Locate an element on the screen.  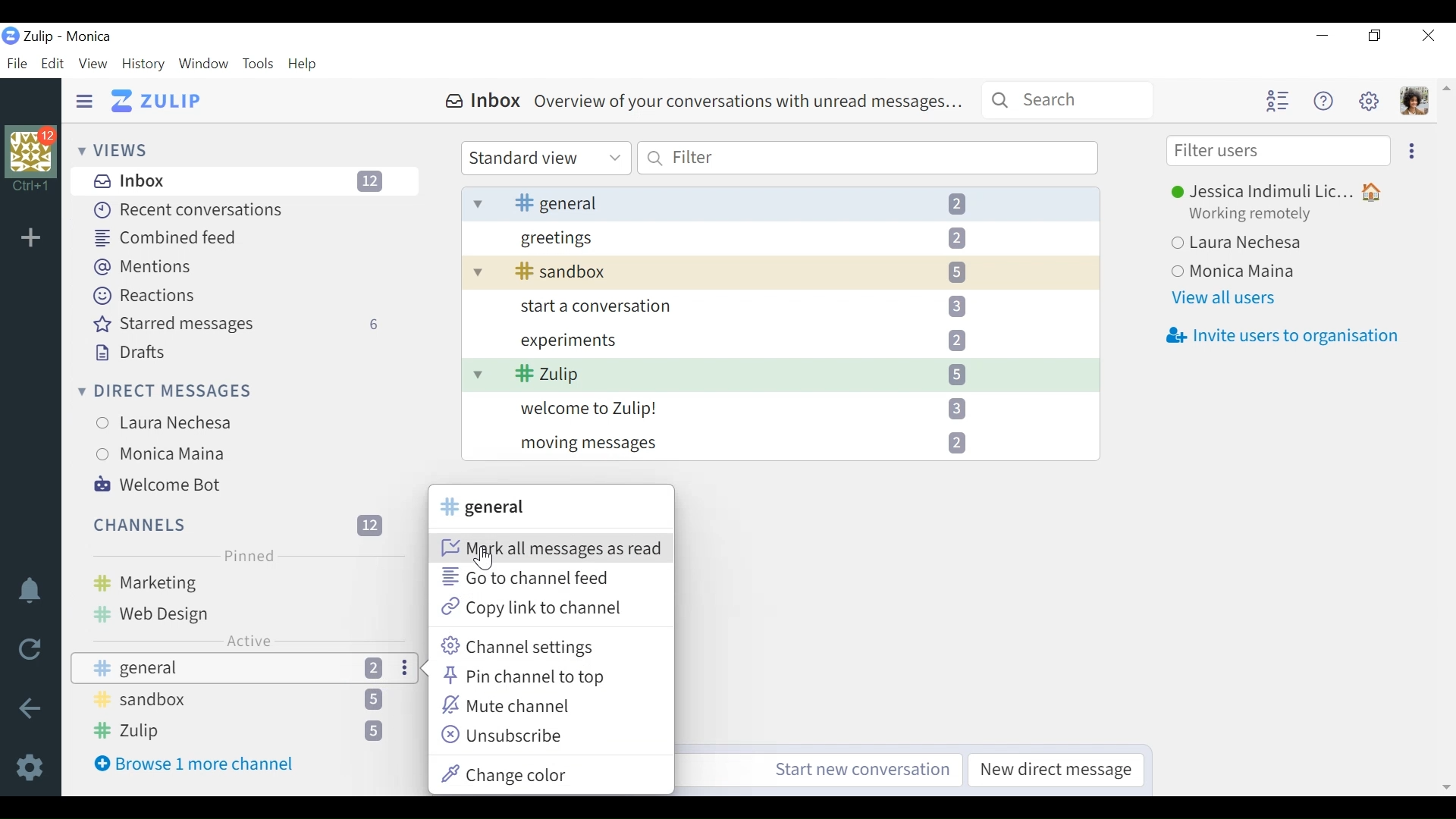
Views is located at coordinates (113, 149).